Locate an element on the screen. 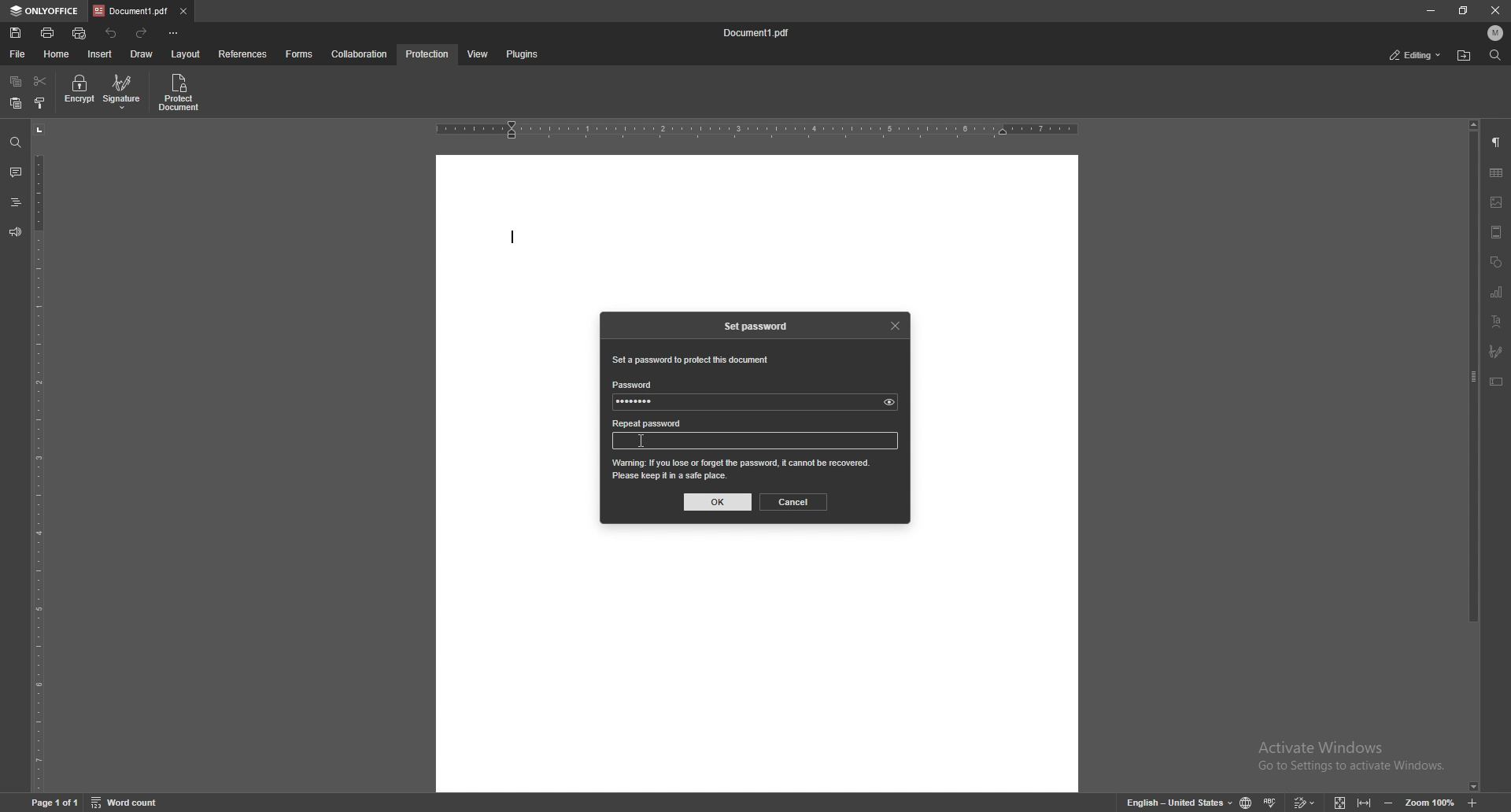 The height and width of the screenshot is (812, 1511). cancel is located at coordinates (793, 502).